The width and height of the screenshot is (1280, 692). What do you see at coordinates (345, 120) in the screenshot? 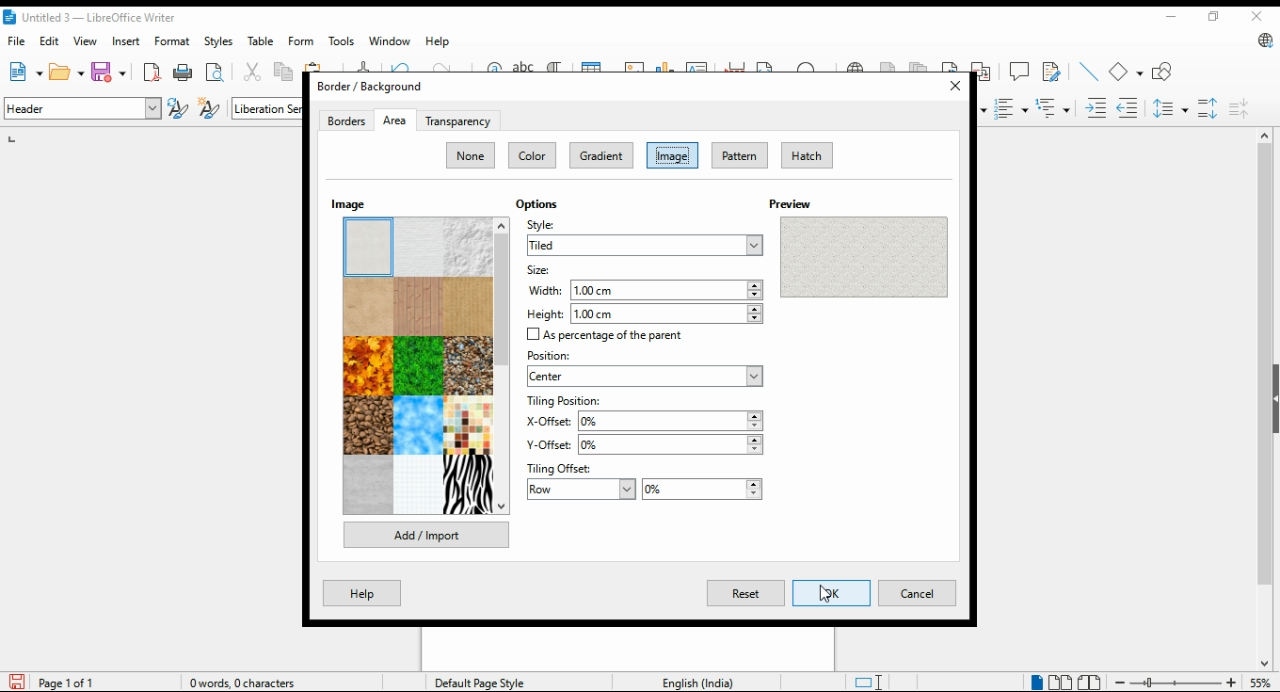
I see `borders` at bounding box center [345, 120].